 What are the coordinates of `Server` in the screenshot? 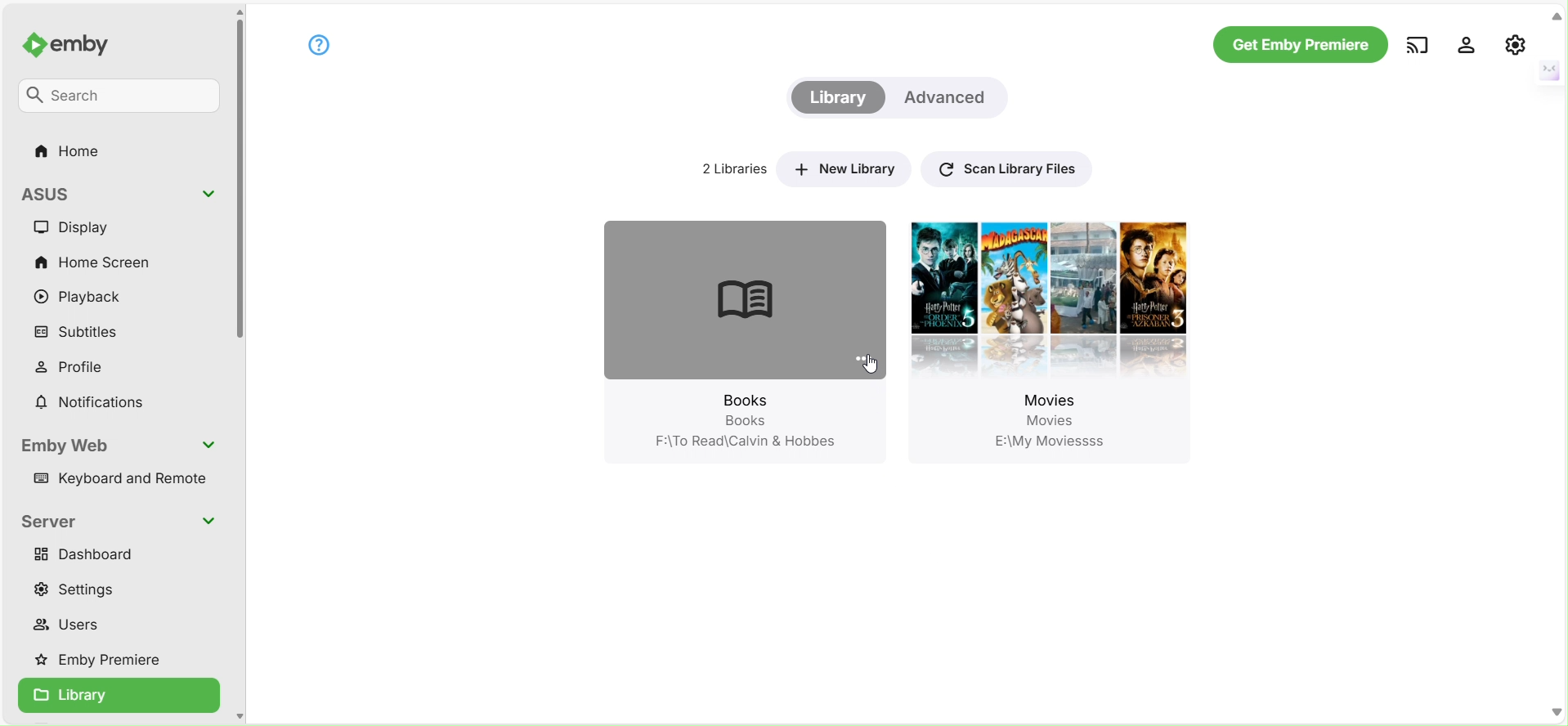 It's located at (52, 522).